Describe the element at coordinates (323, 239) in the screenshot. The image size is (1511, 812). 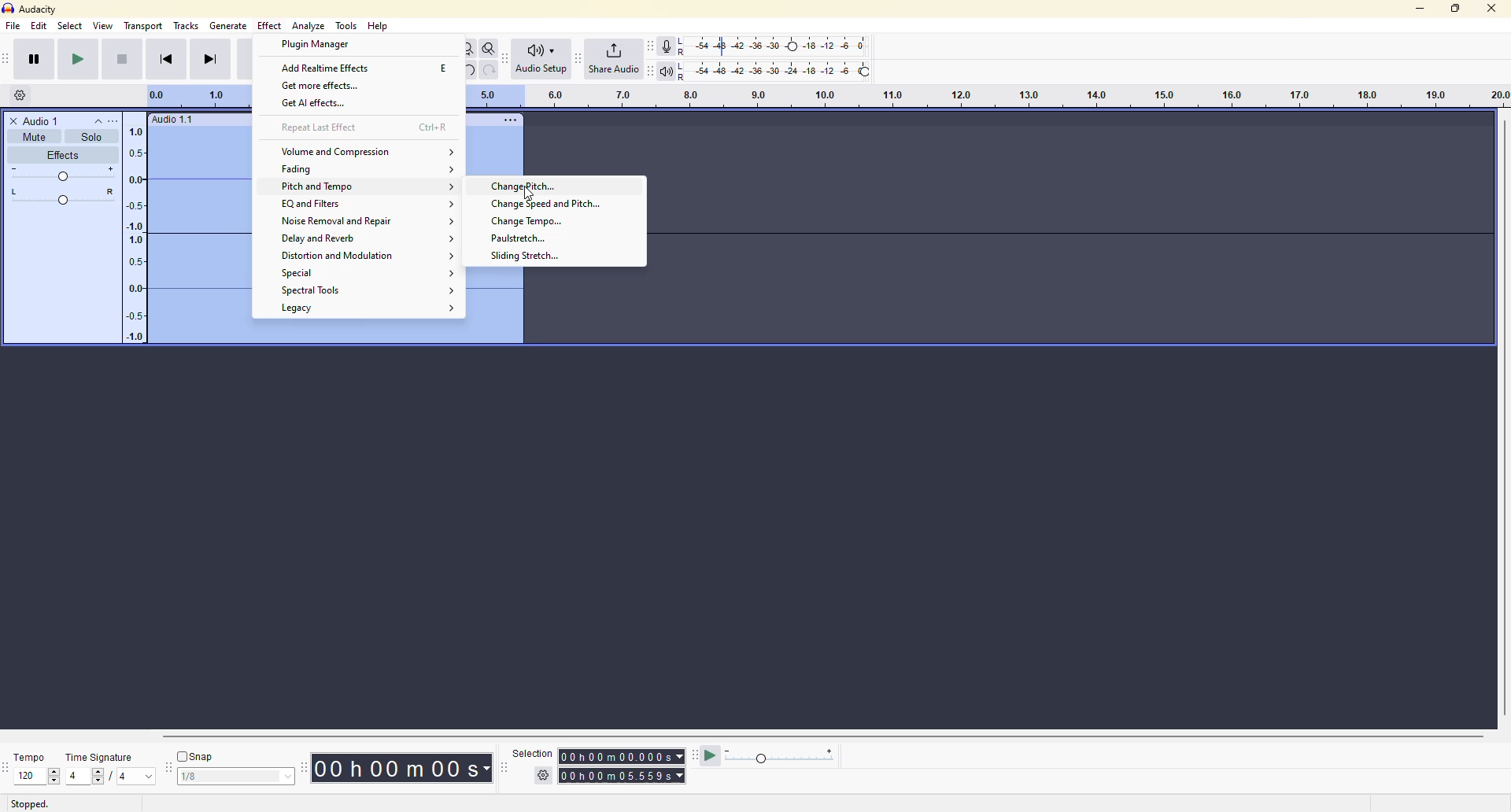
I see `delay and reverb` at that location.